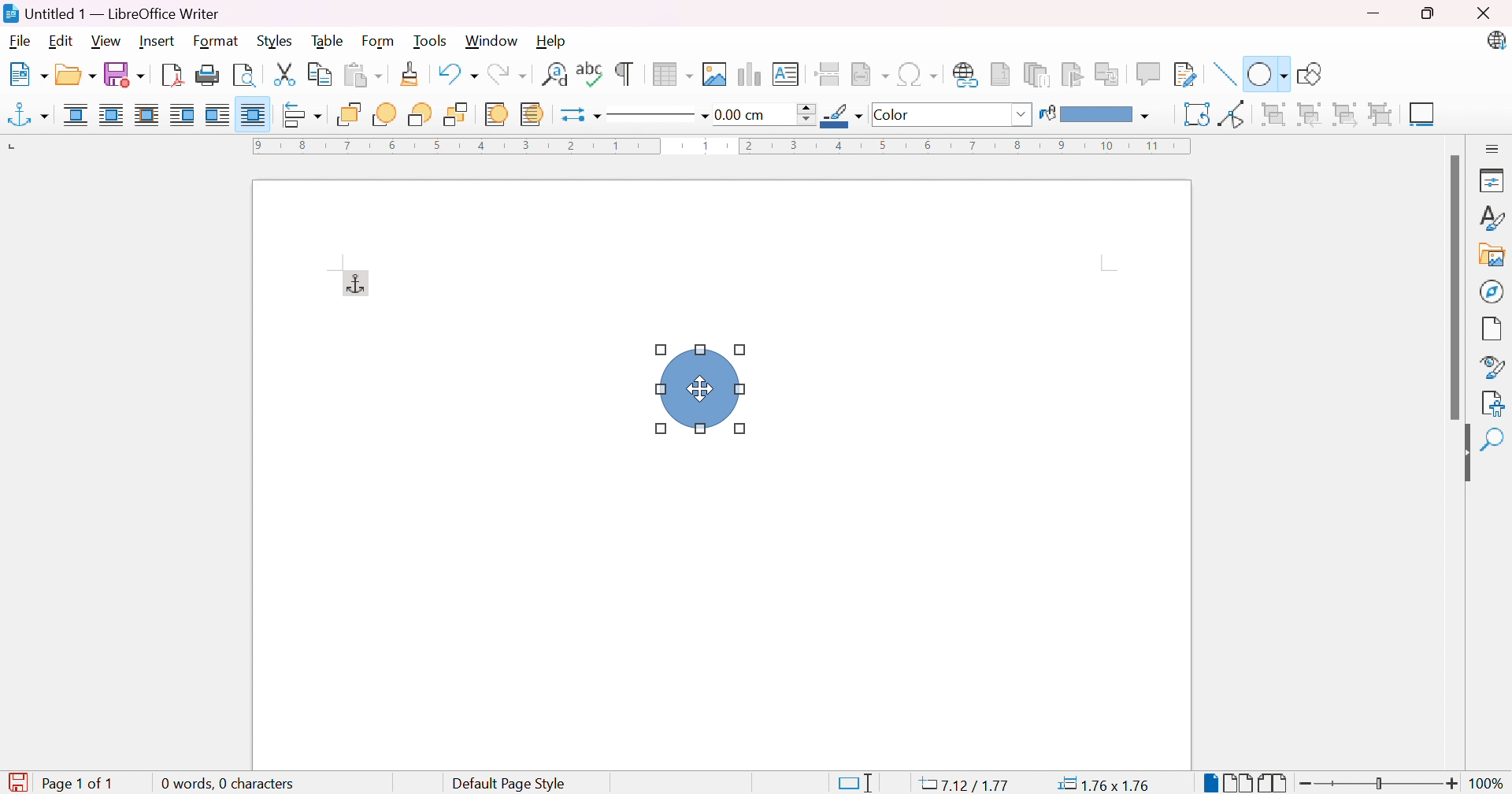 This screenshot has height=794, width=1512. Describe the element at coordinates (1233, 114) in the screenshot. I see `Toggle point edit mode` at that location.